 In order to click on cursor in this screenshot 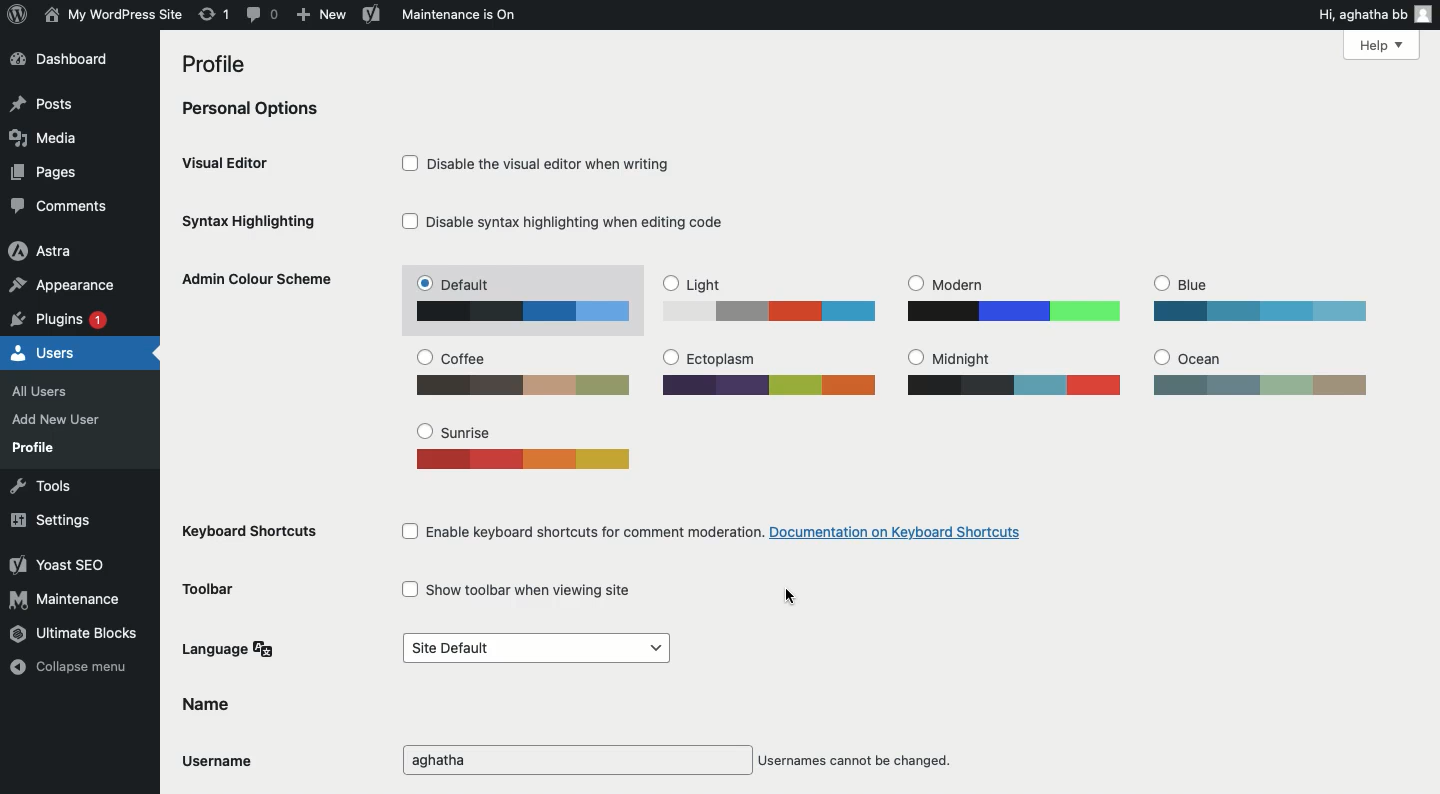, I will do `click(793, 598)`.